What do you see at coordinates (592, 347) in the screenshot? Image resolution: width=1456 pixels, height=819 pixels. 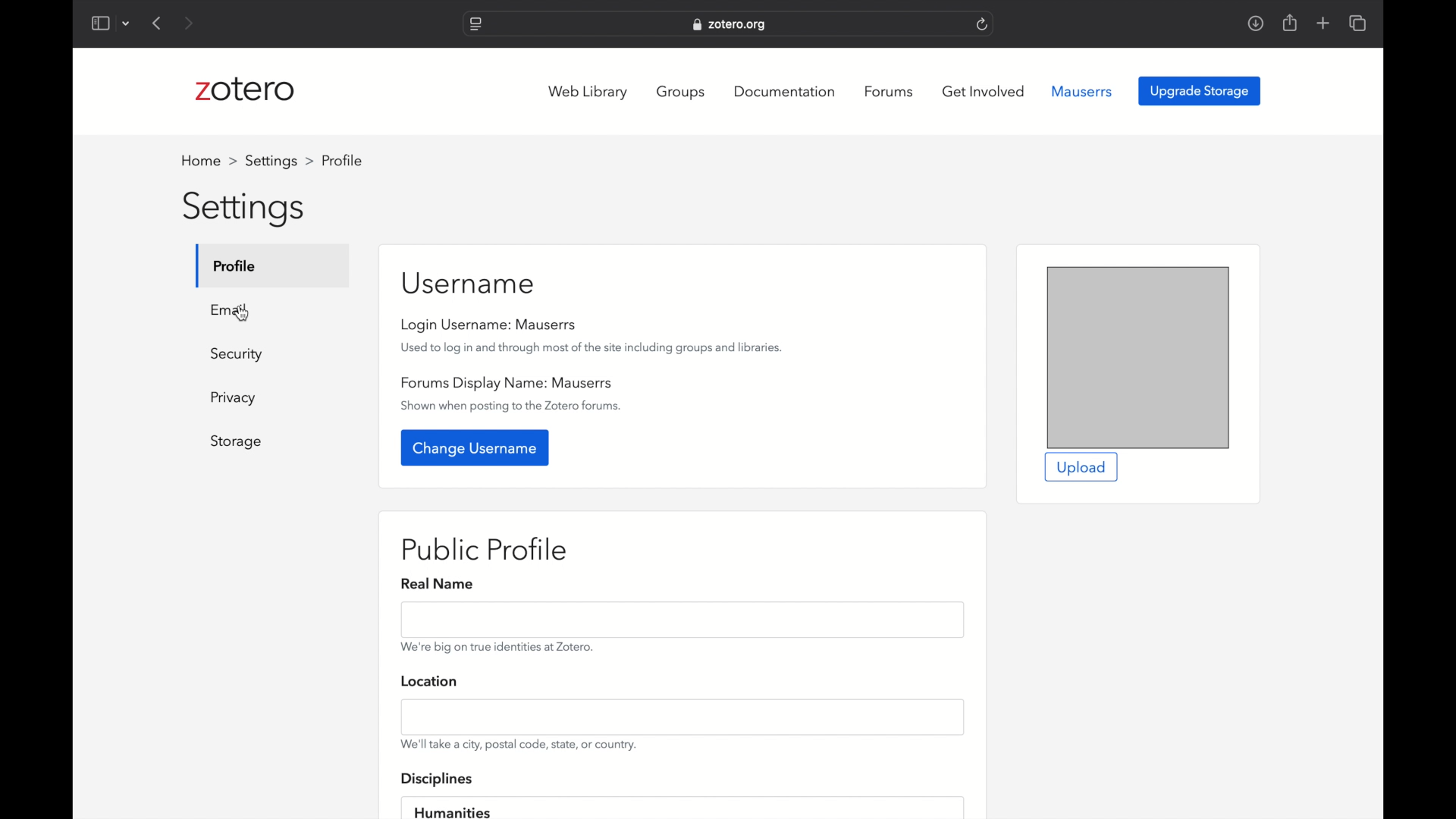 I see `used to log in and through most of the sites including groups and libraries` at bounding box center [592, 347].